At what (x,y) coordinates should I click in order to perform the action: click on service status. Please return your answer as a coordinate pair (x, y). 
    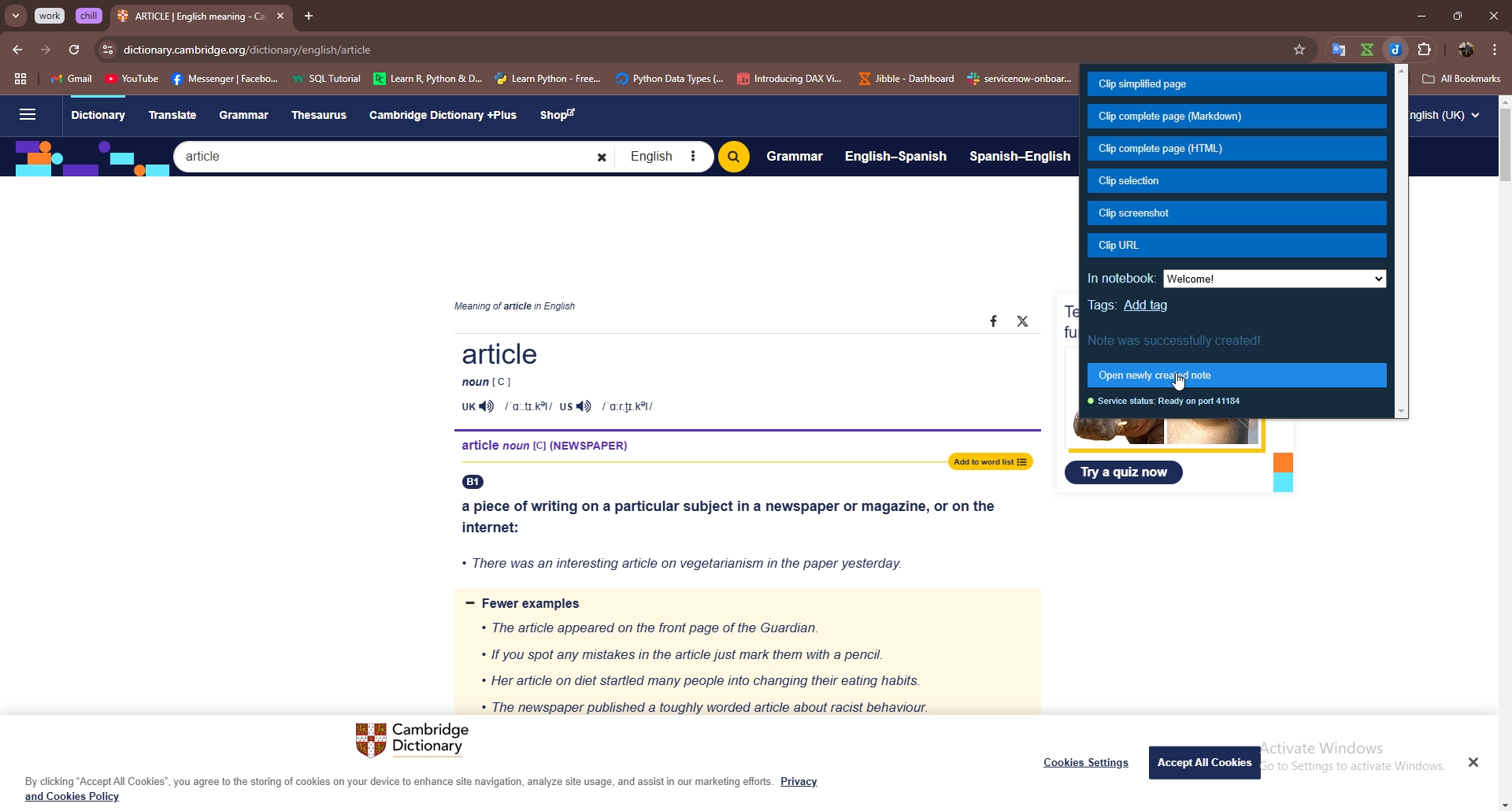
    Looking at the image, I should click on (1169, 403).